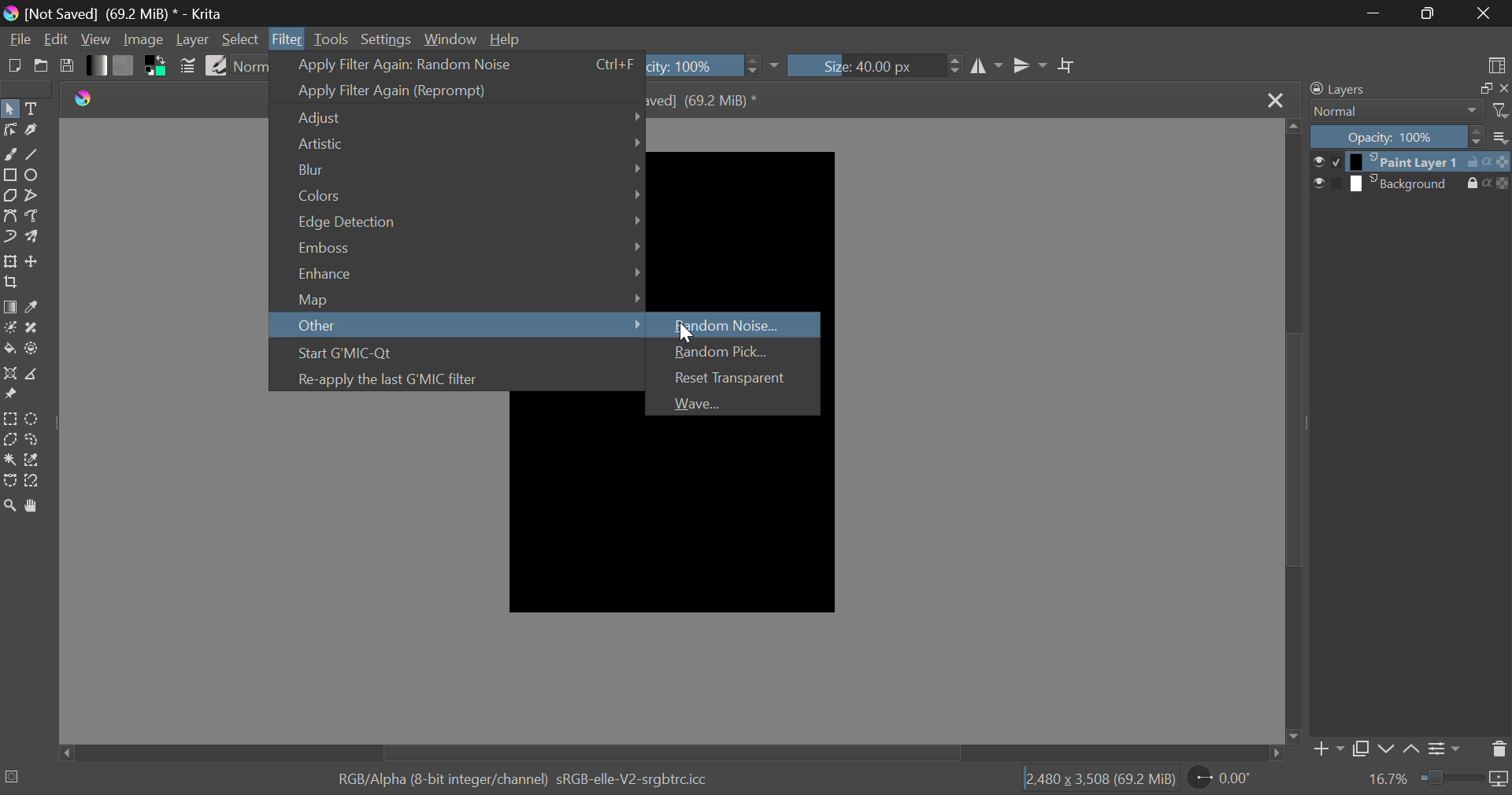 The width and height of the screenshot is (1512, 795). I want to click on Select, so click(9, 110).